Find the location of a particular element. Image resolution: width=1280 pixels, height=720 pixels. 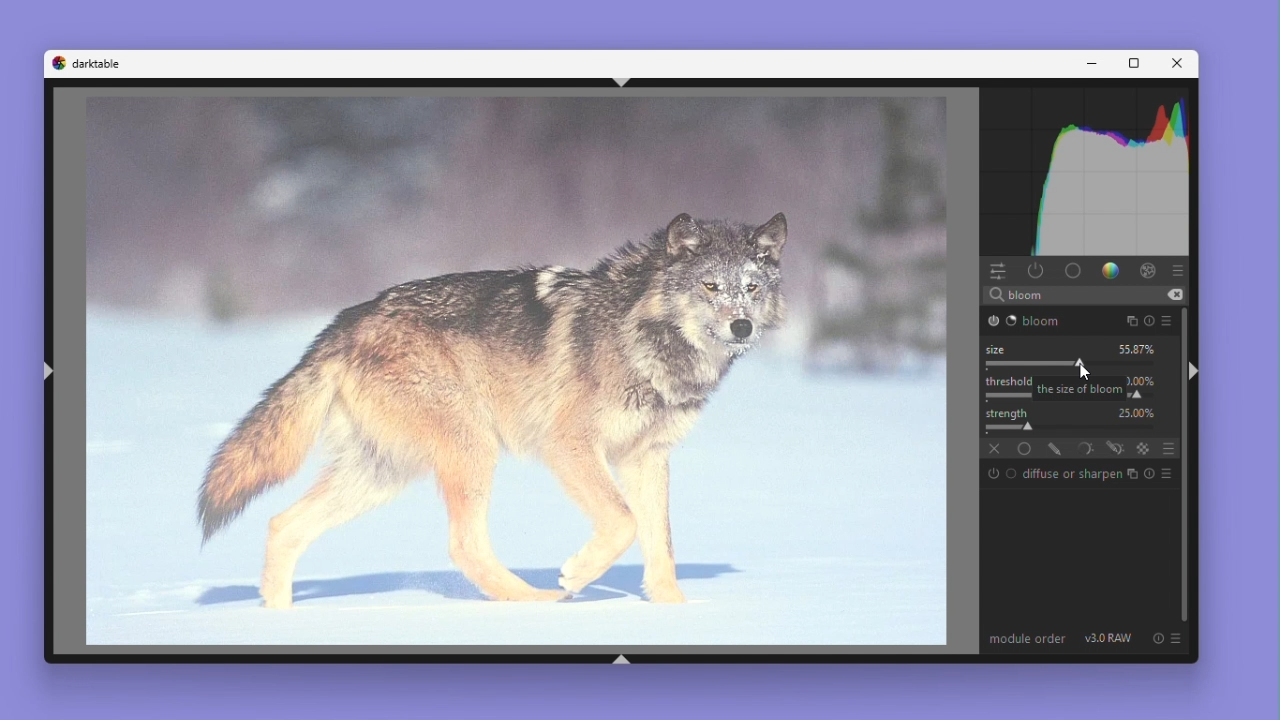

Close is located at coordinates (1173, 63).